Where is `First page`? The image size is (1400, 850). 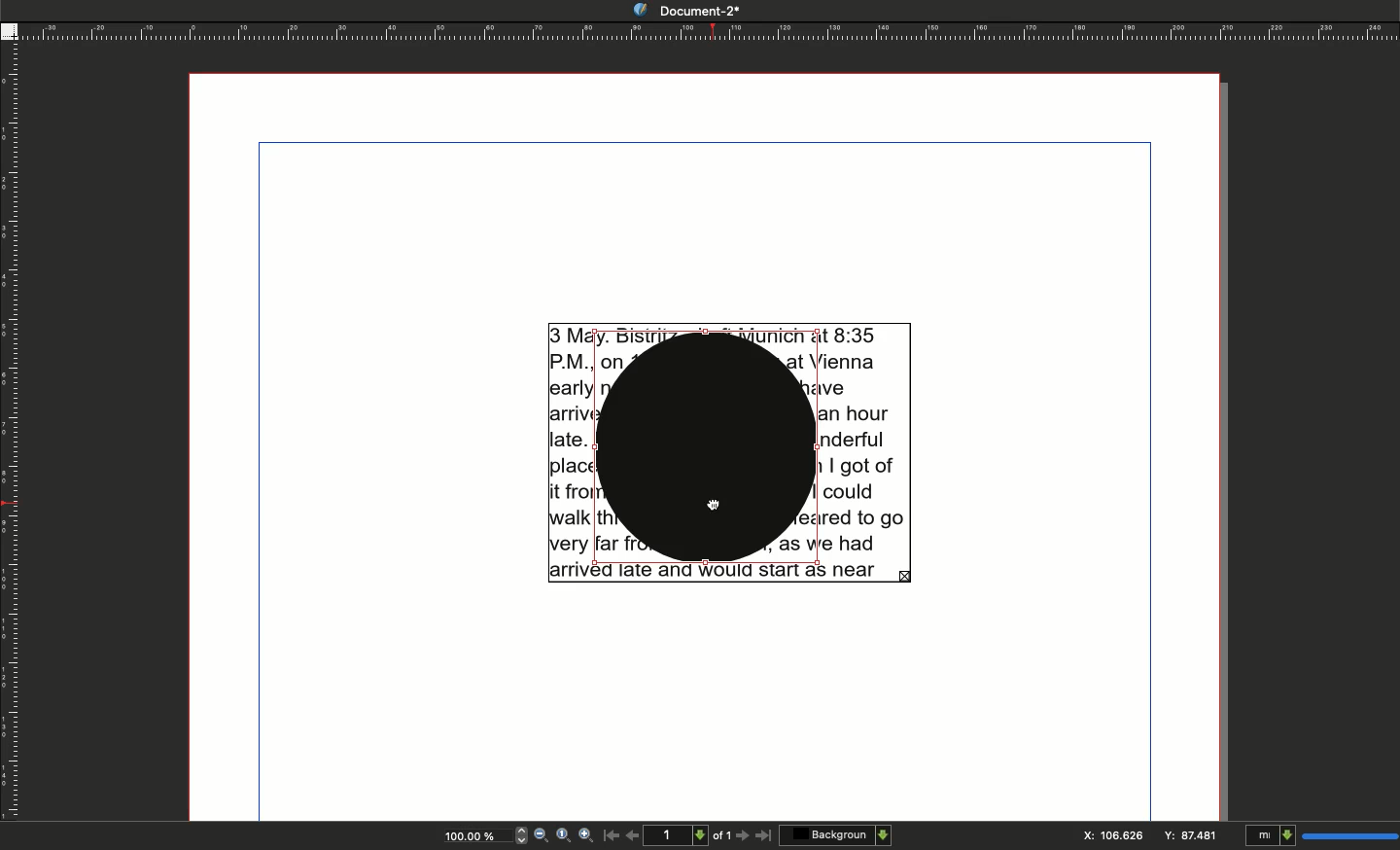 First page is located at coordinates (610, 838).